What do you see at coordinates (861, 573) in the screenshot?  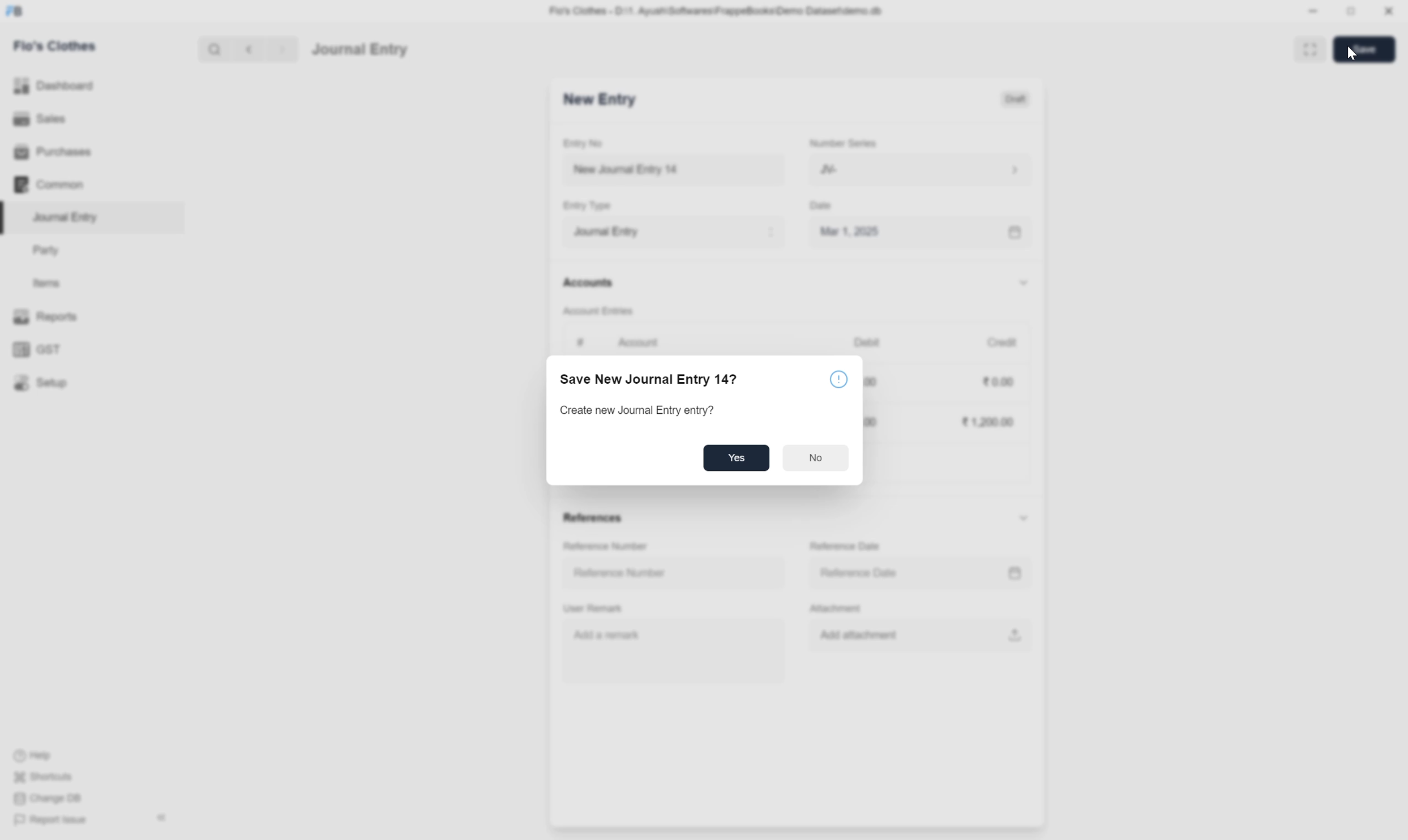 I see `Reference Date` at bounding box center [861, 573].